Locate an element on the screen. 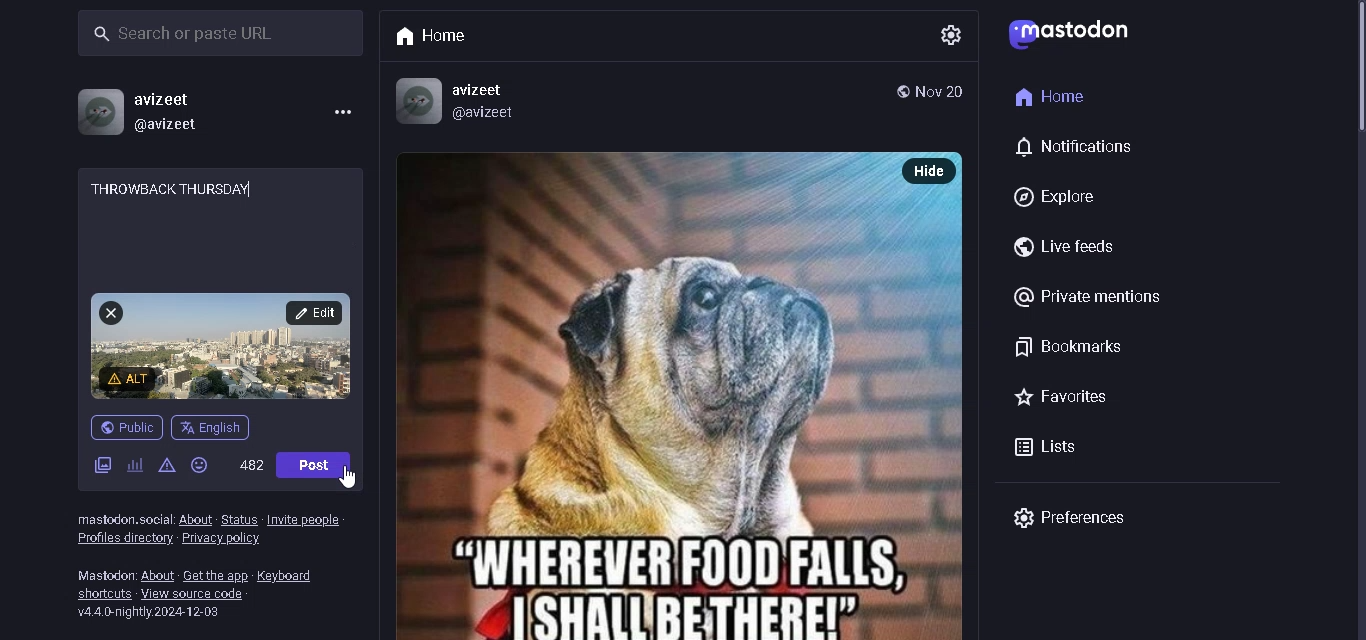 The height and width of the screenshot is (640, 1366). added text is located at coordinates (173, 189).